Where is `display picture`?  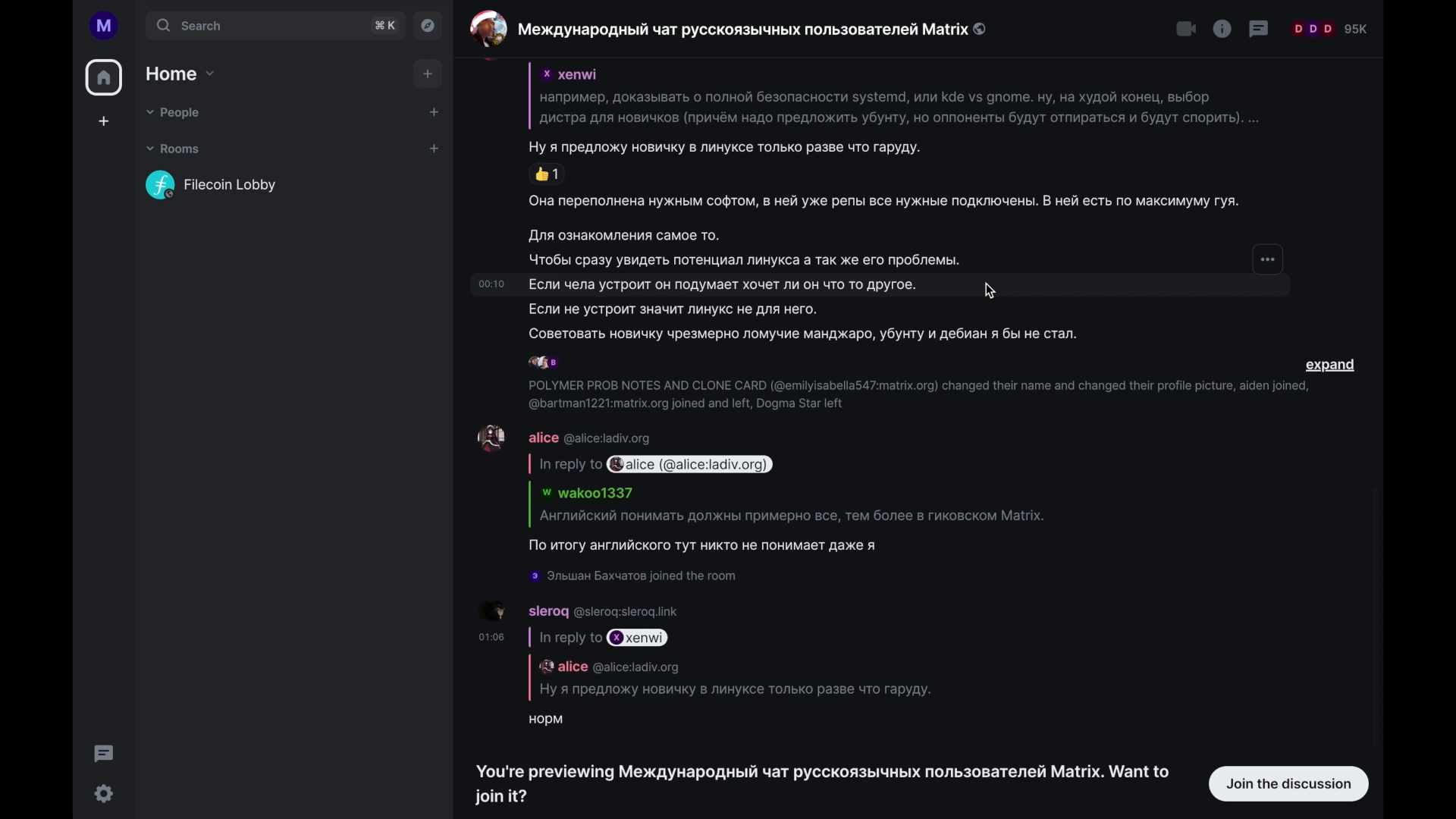
display picture is located at coordinates (489, 438).